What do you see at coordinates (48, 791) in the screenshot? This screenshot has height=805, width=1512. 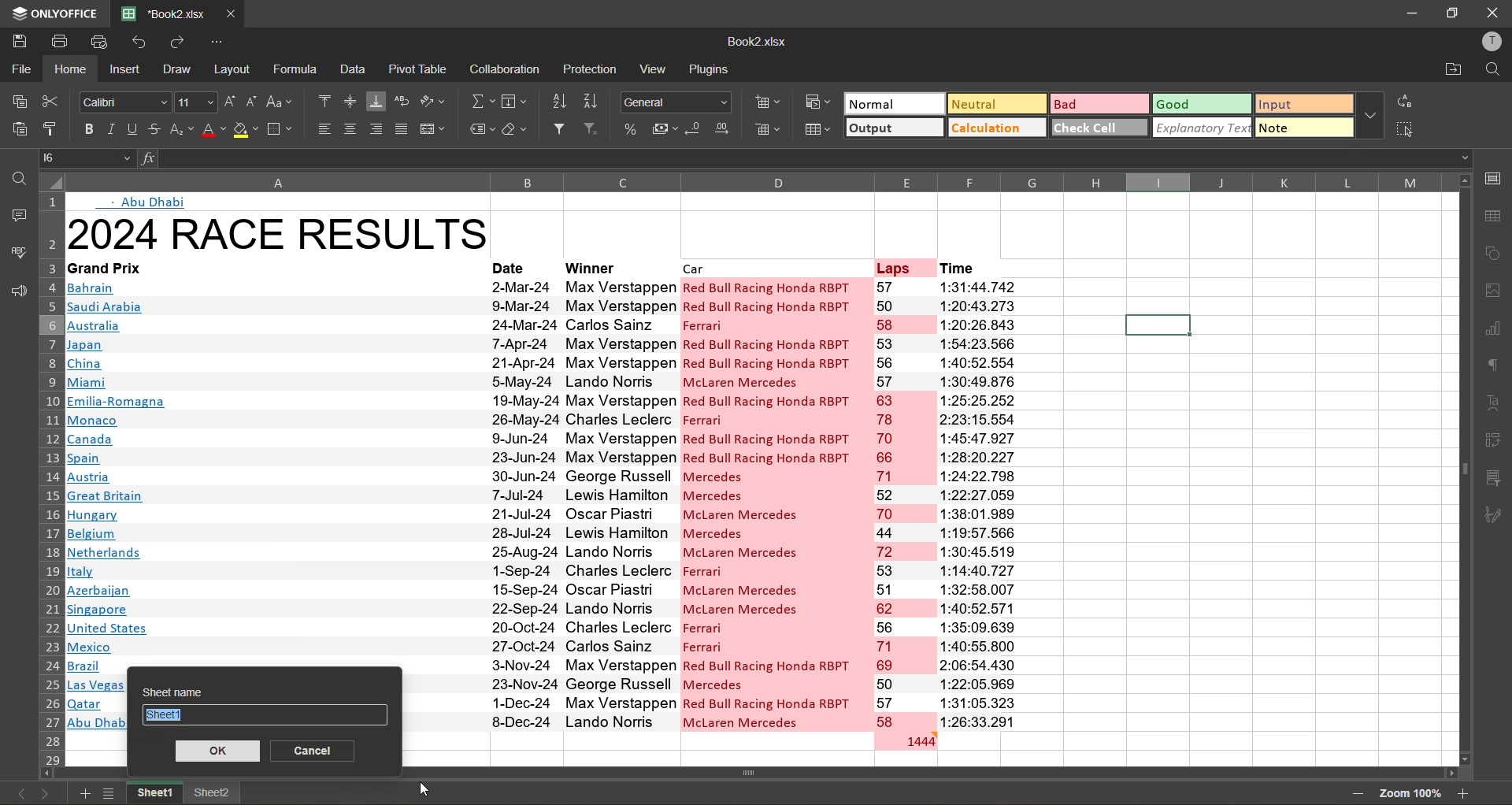 I see `next` at bounding box center [48, 791].